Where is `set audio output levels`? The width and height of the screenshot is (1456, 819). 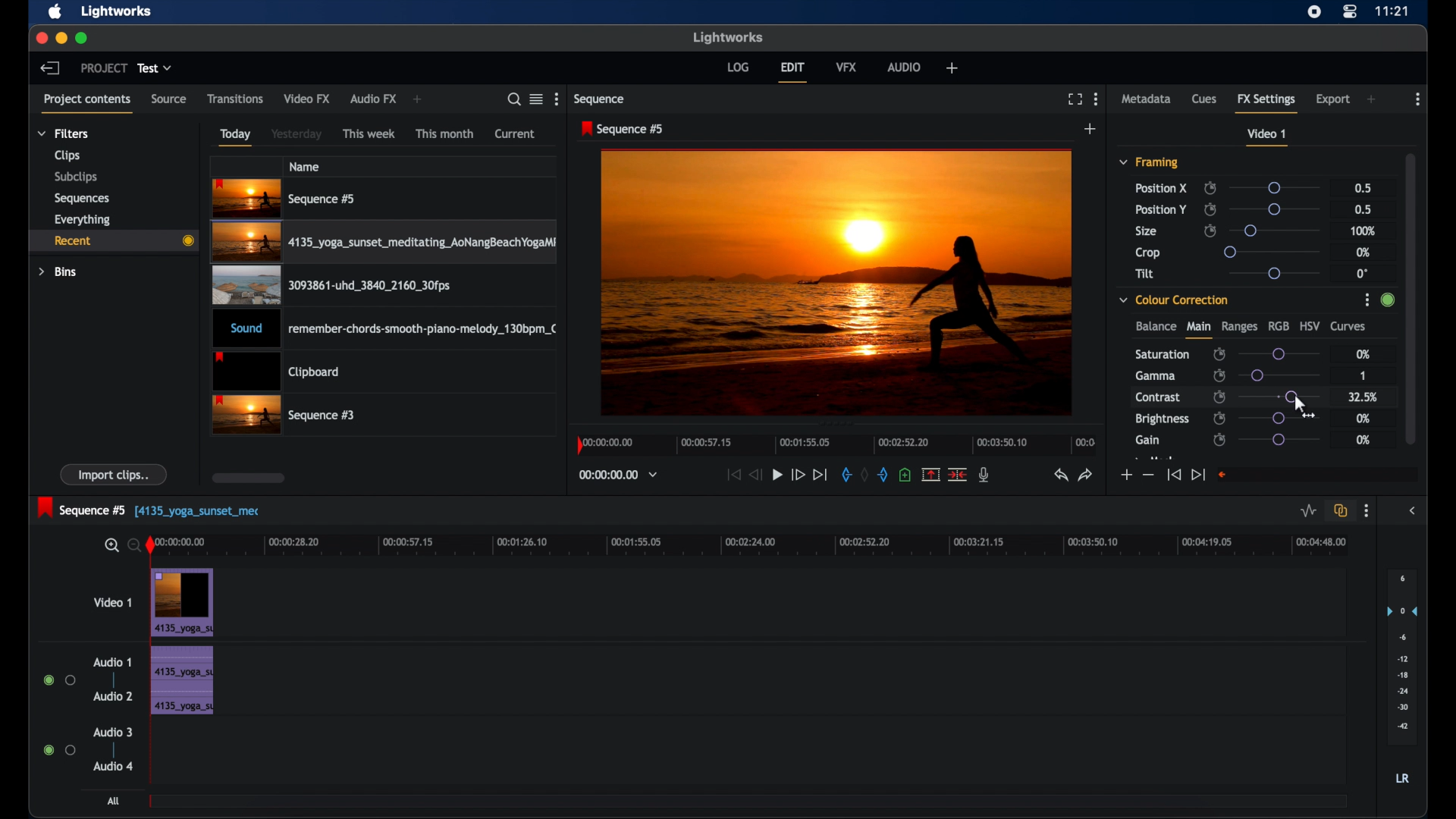 set audio output levels is located at coordinates (1402, 655).